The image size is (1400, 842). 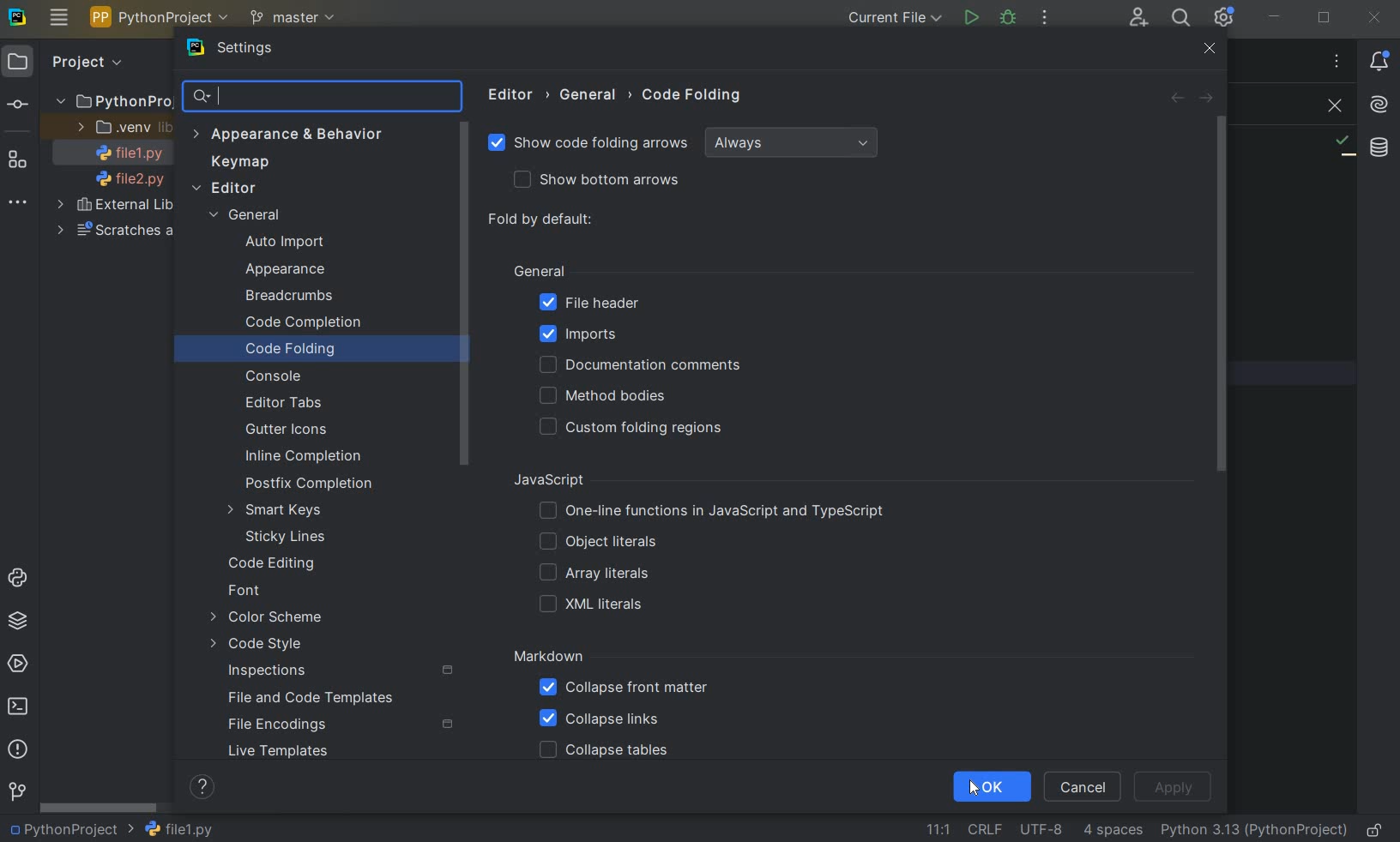 I want to click on Cursor Position, so click(x=975, y=791).